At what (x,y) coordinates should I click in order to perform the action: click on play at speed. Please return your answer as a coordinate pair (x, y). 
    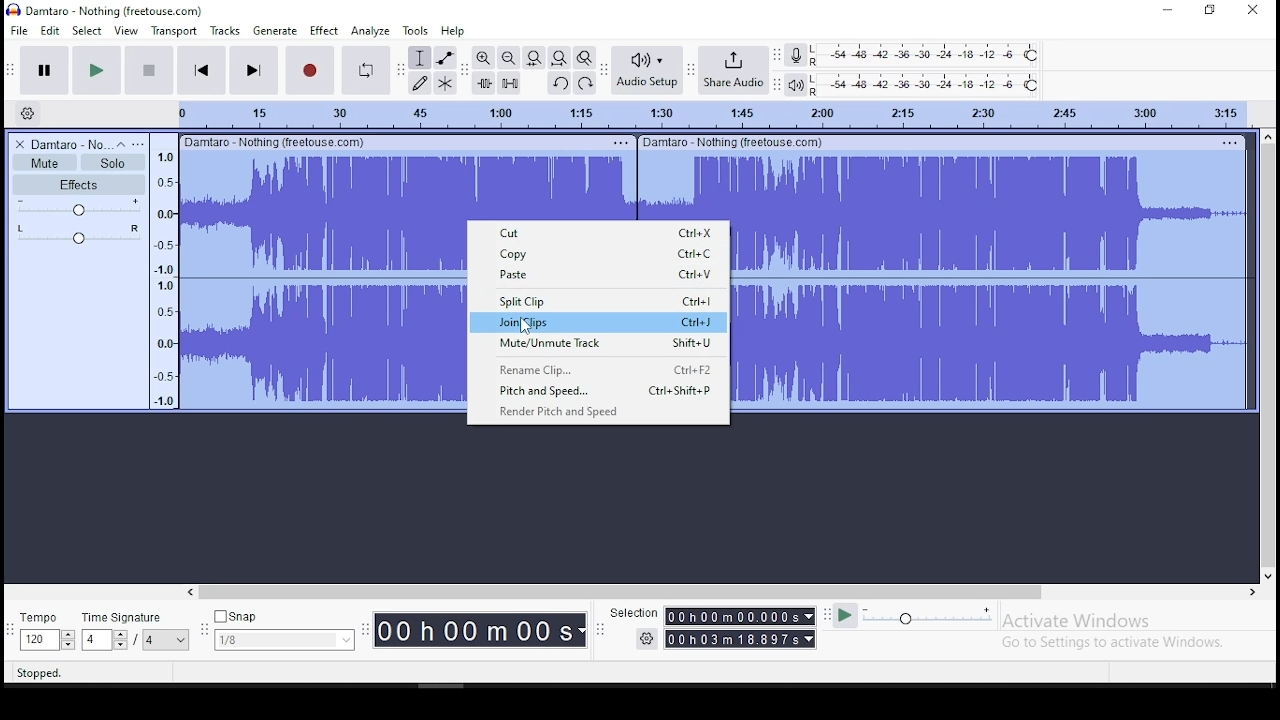
    Looking at the image, I should click on (847, 616).